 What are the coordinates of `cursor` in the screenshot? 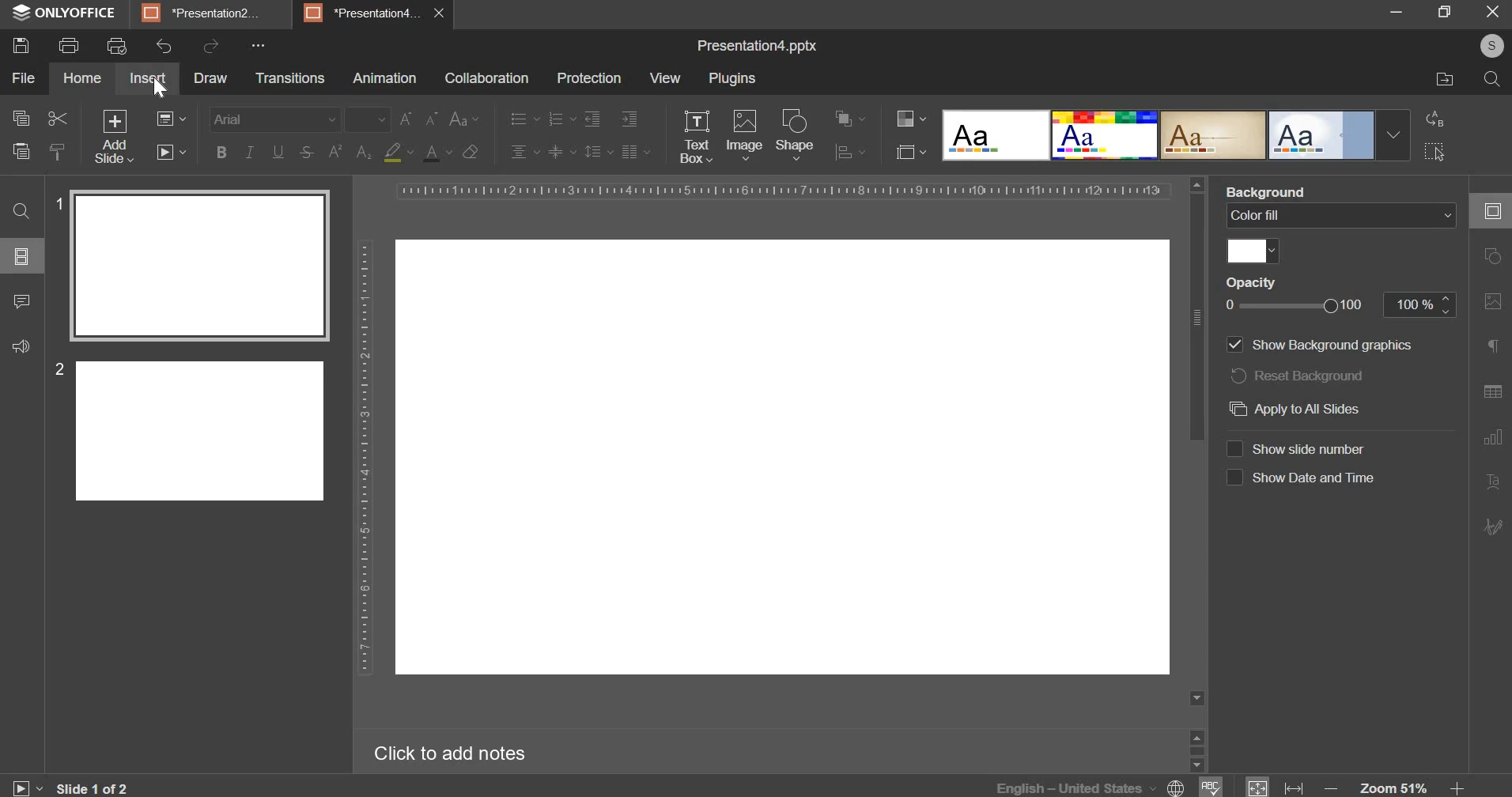 It's located at (161, 90).